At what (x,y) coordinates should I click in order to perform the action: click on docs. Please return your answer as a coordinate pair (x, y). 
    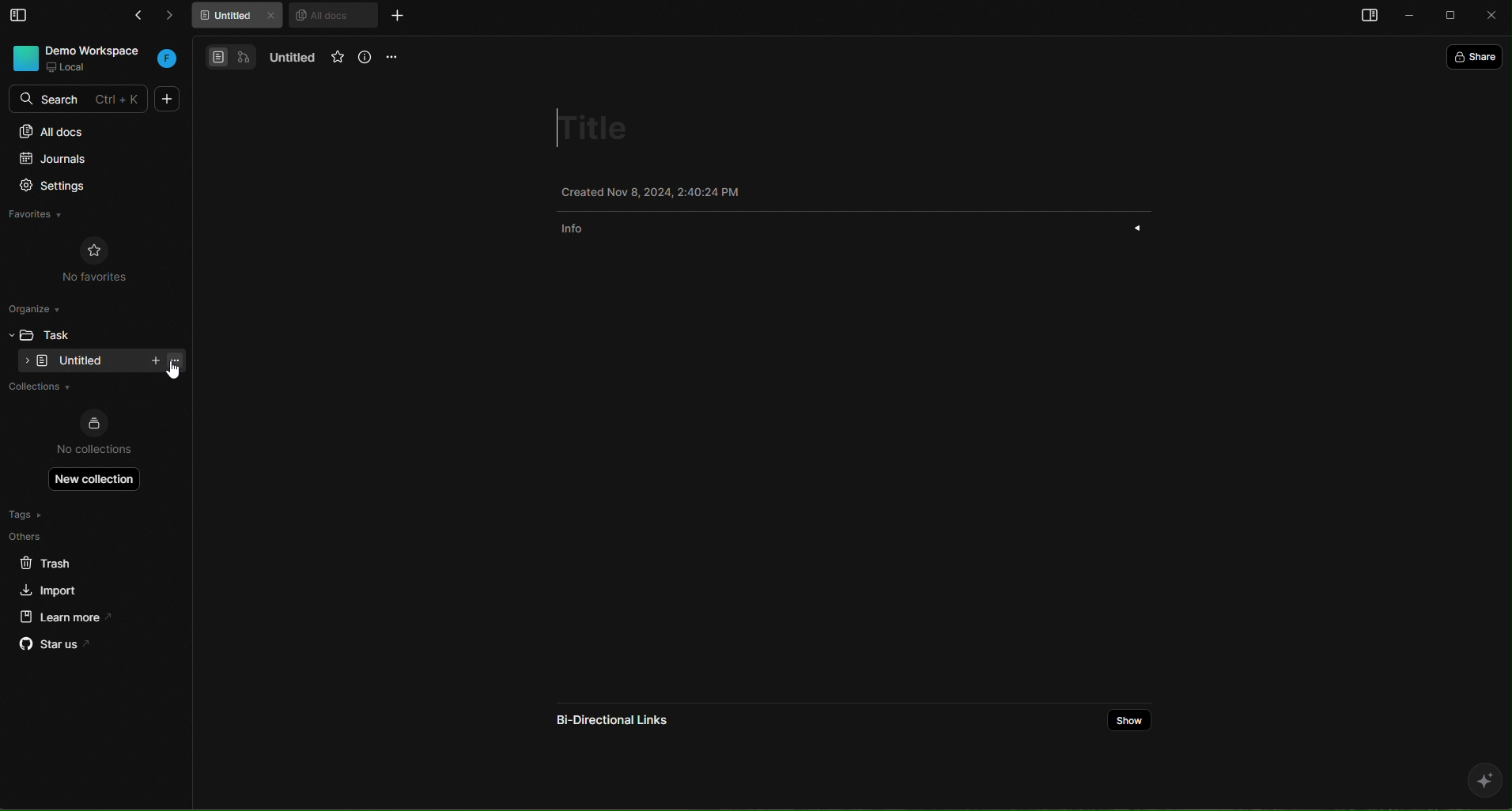
    Looking at the image, I should click on (231, 56).